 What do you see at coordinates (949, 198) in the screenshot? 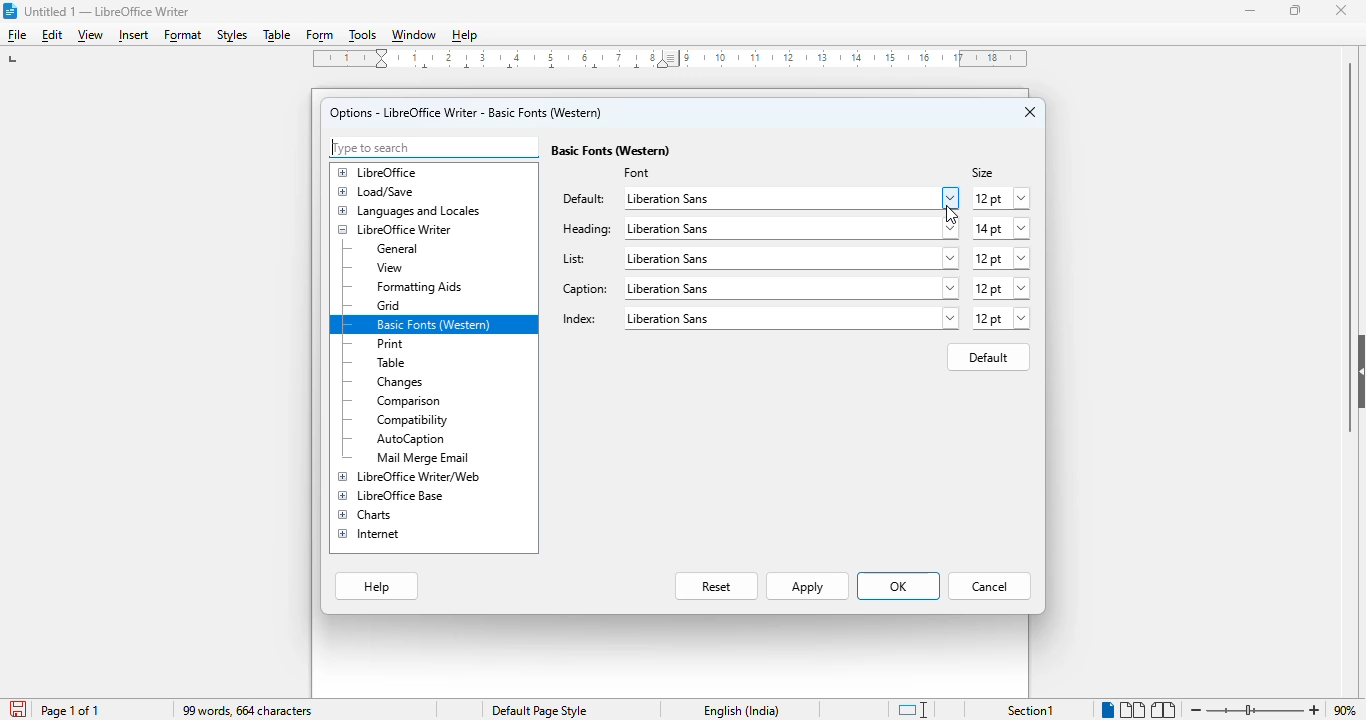
I see `browse/more options` at bounding box center [949, 198].